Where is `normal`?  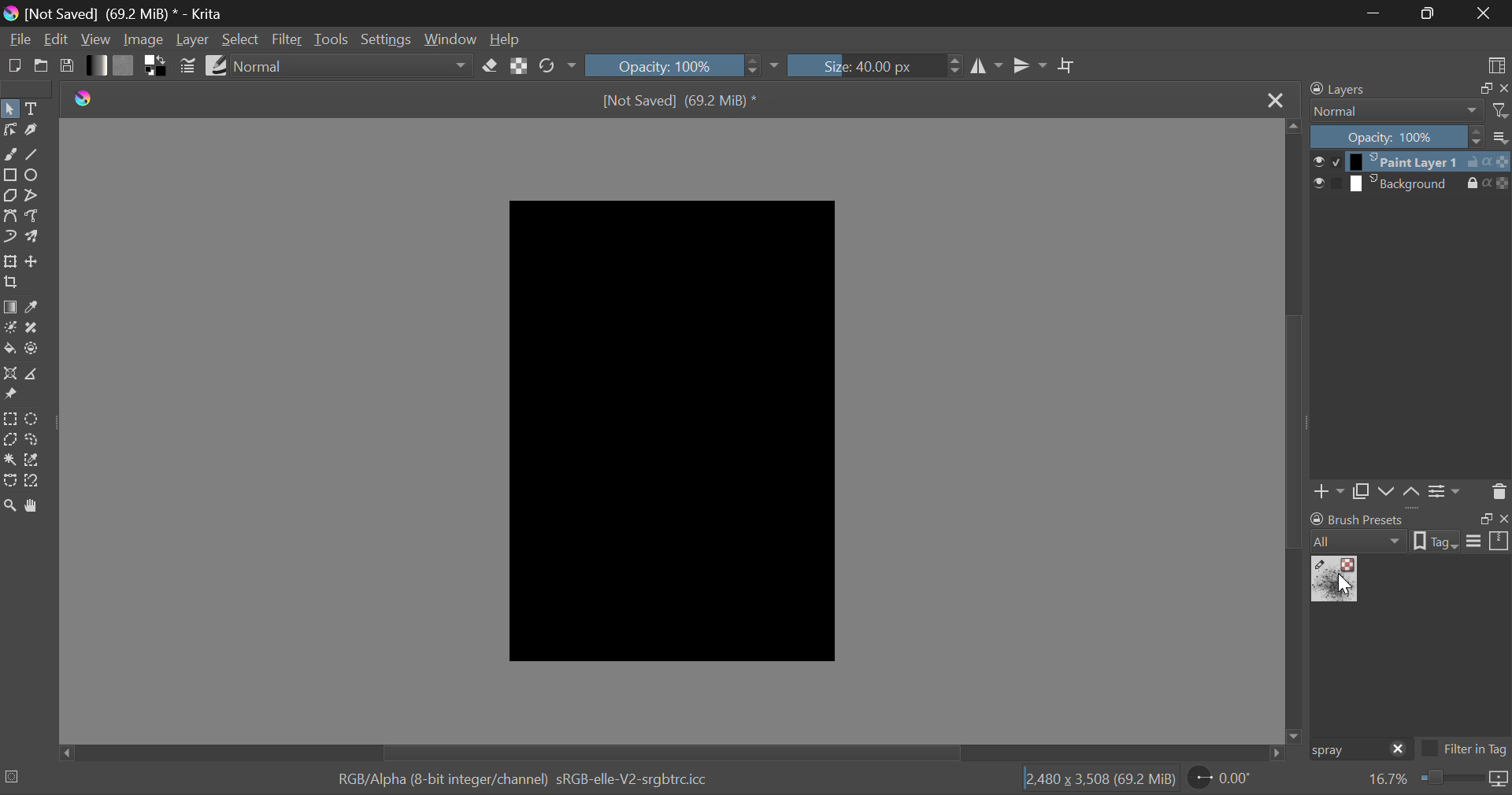 normal is located at coordinates (354, 66).